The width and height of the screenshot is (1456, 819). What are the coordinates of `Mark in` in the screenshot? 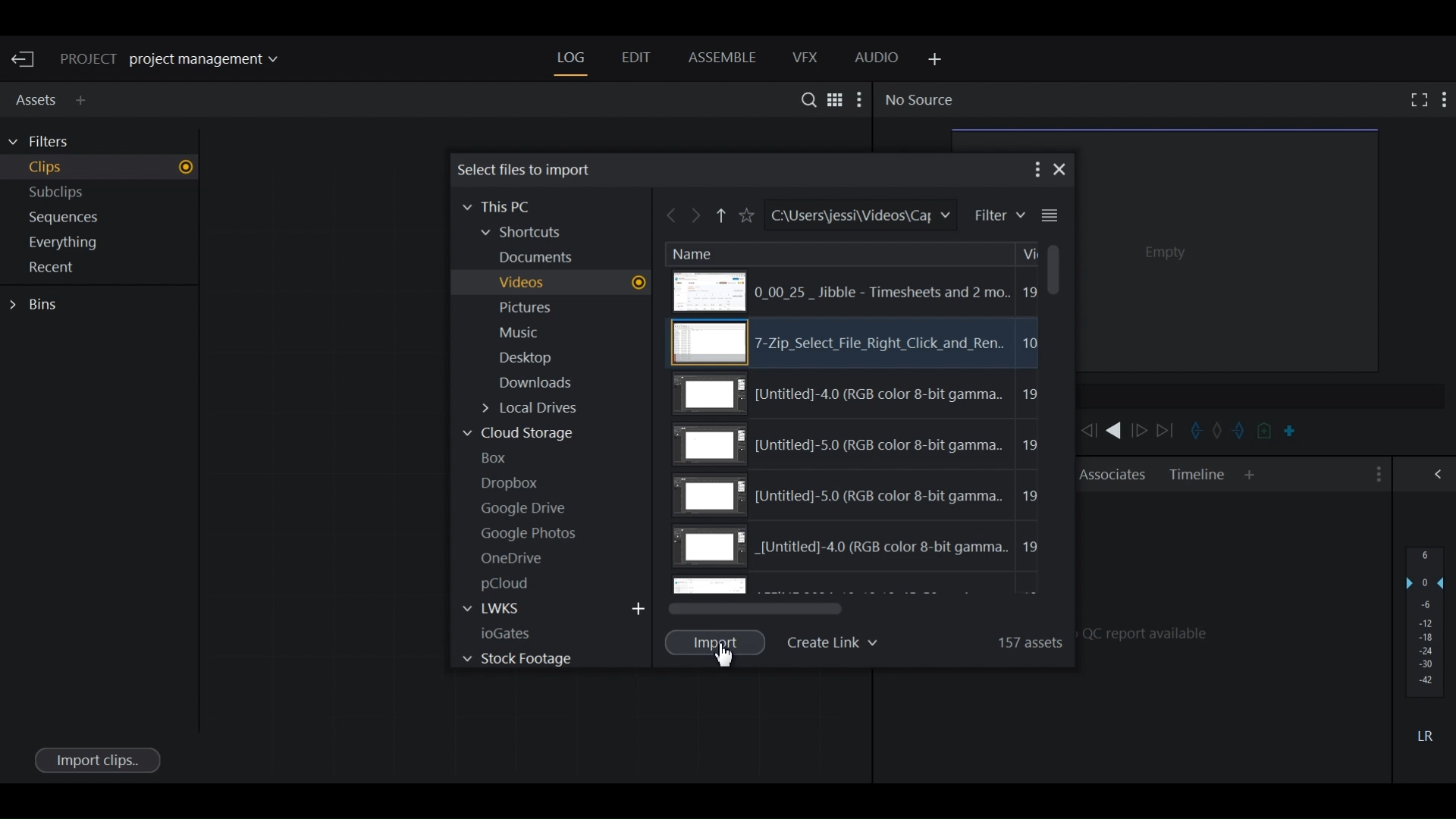 It's located at (1194, 430).